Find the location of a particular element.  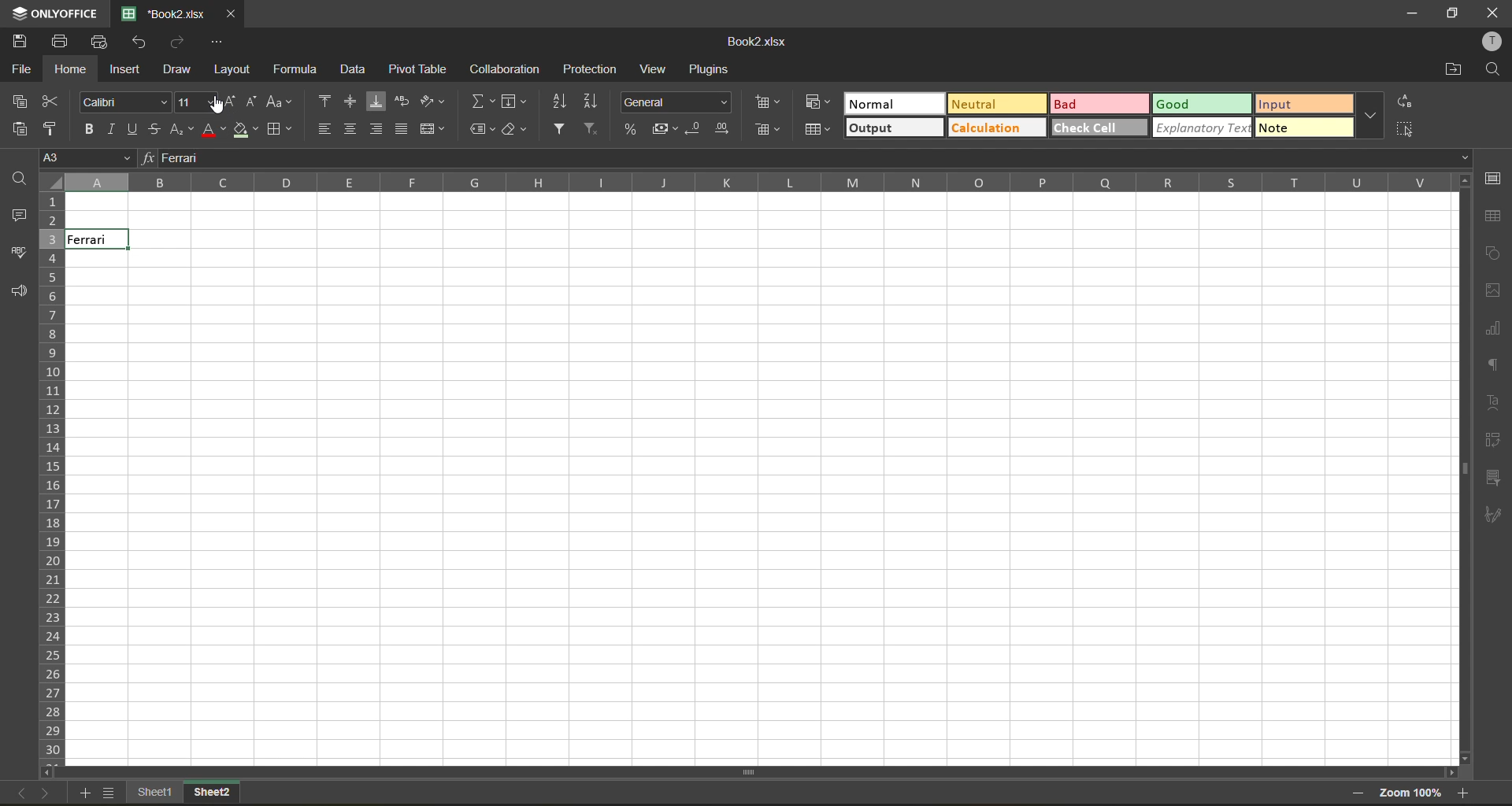

clear is located at coordinates (515, 131).